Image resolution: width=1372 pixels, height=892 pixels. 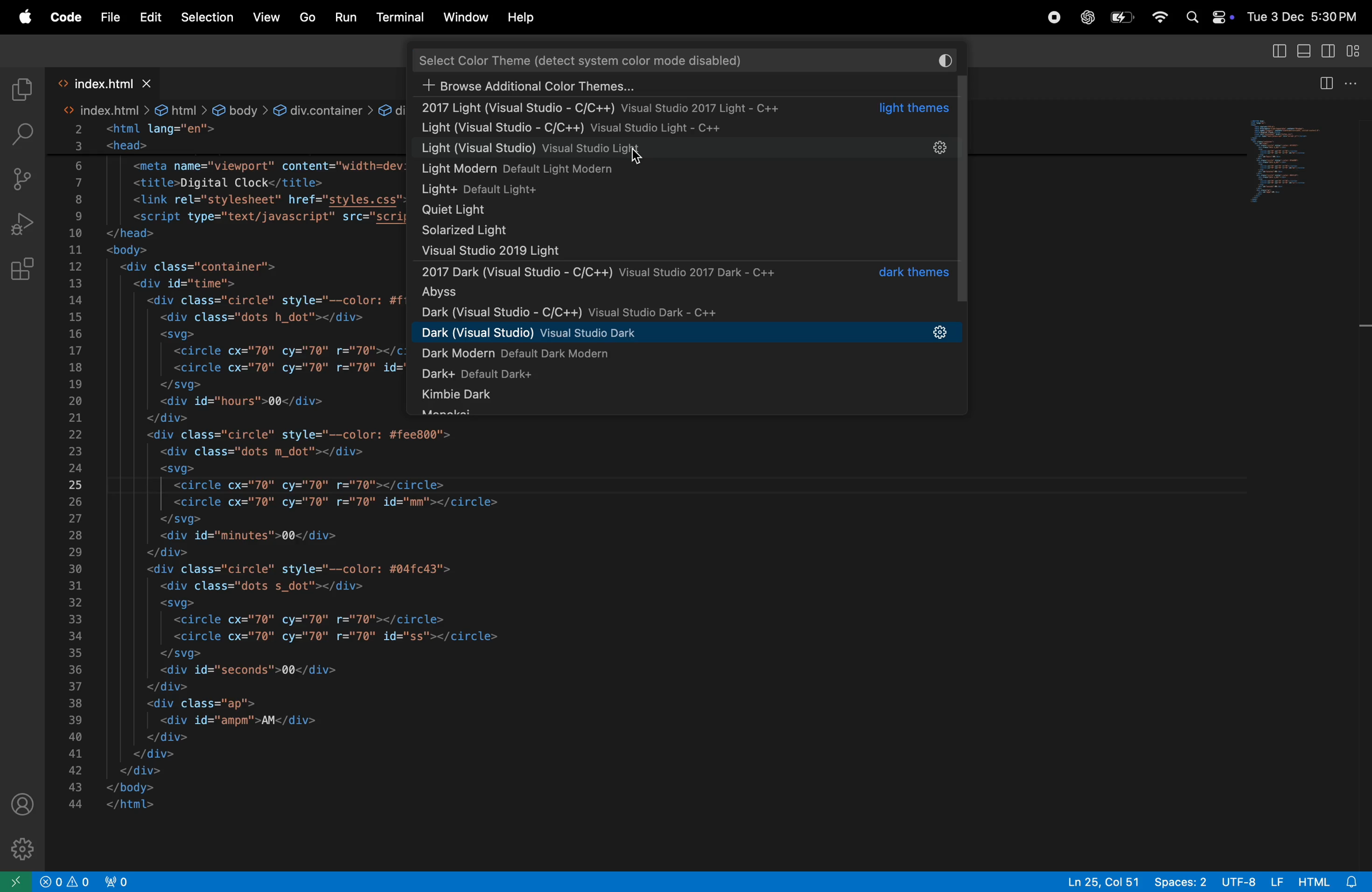 I want to click on settings, so click(x=26, y=849).